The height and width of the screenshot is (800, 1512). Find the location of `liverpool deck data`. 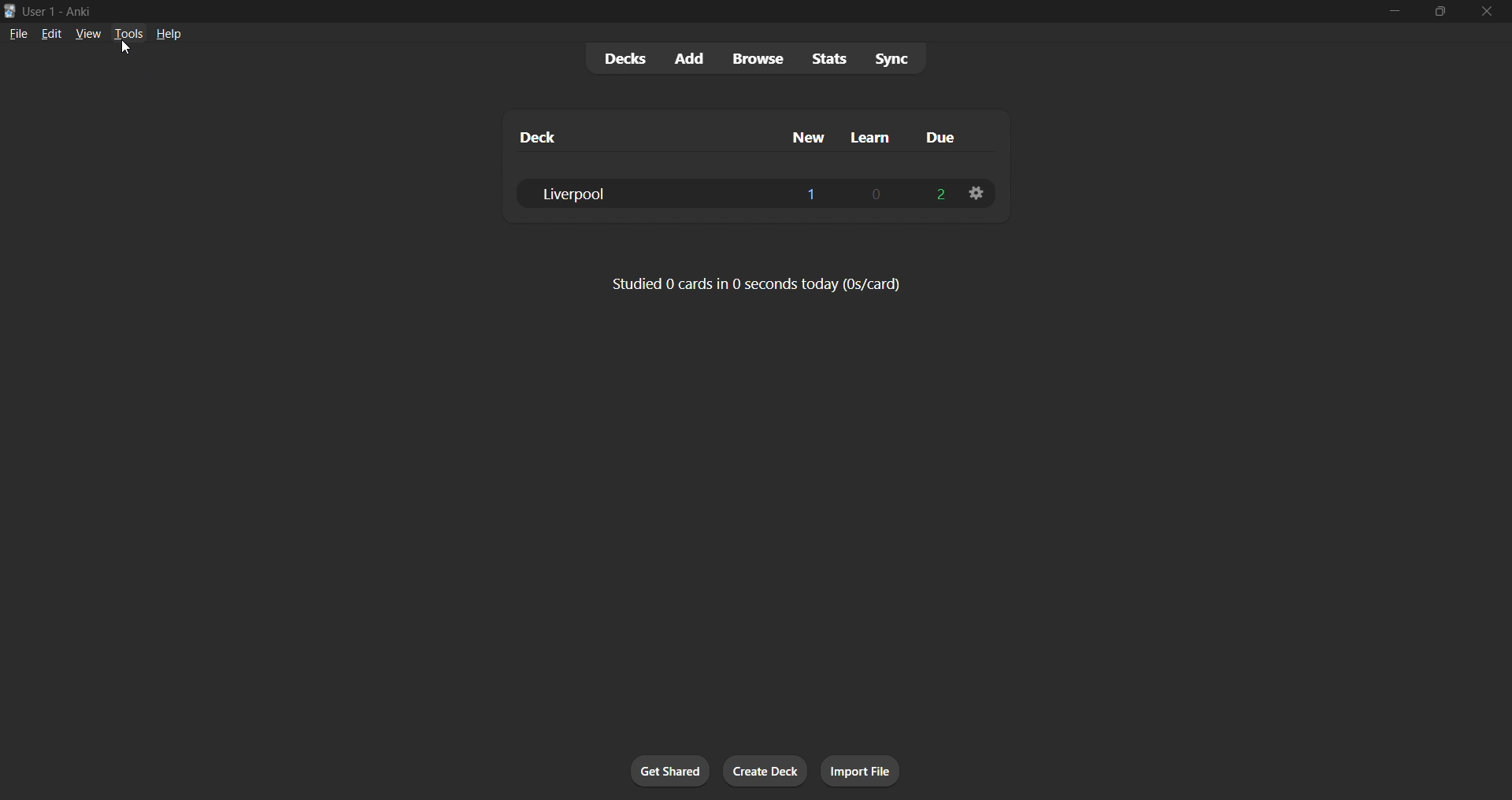

liverpool deck data is located at coordinates (637, 193).